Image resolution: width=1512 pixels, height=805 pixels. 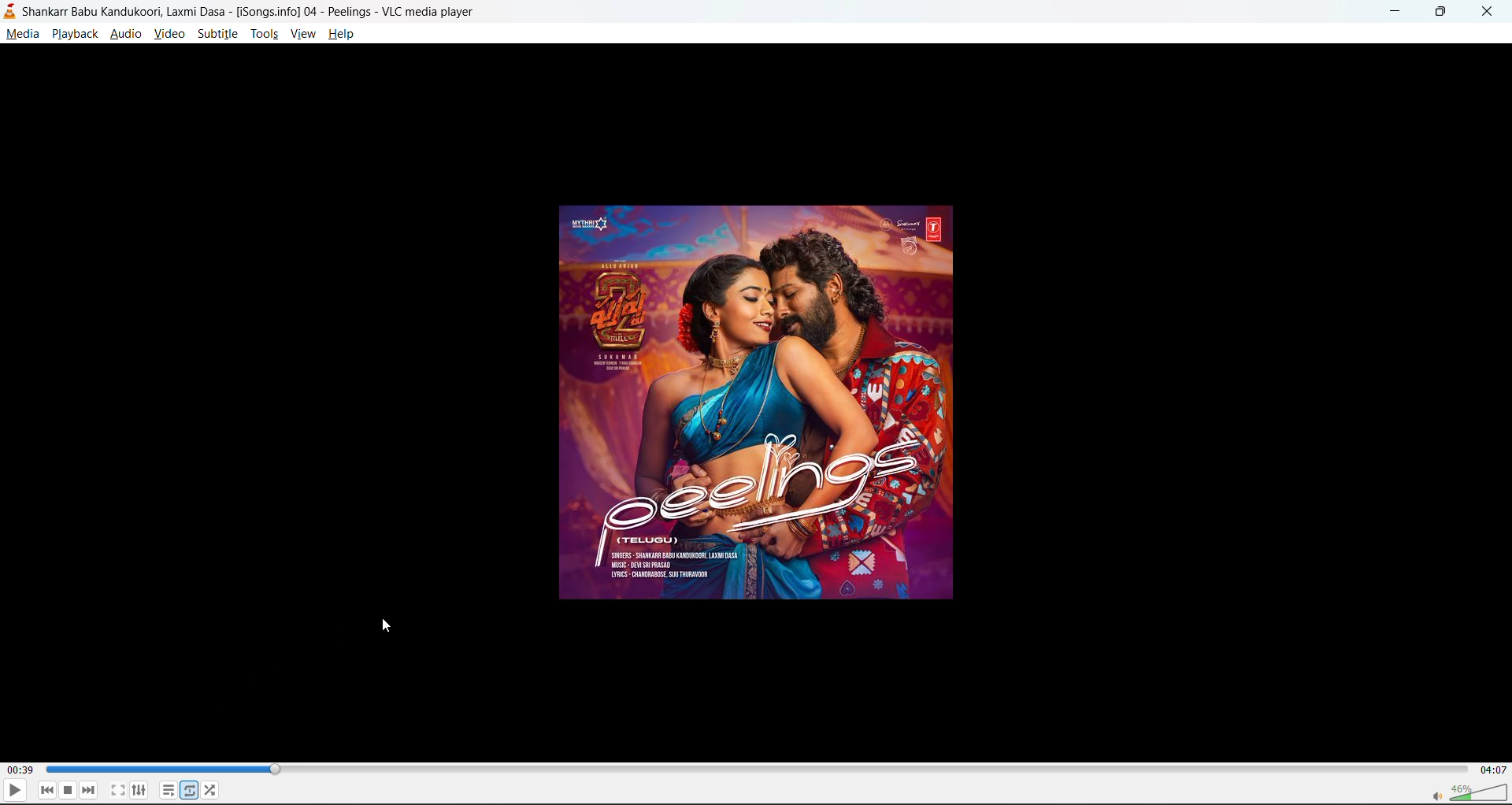 What do you see at coordinates (137, 790) in the screenshot?
I see `settings` at bounding box center [137, 790].